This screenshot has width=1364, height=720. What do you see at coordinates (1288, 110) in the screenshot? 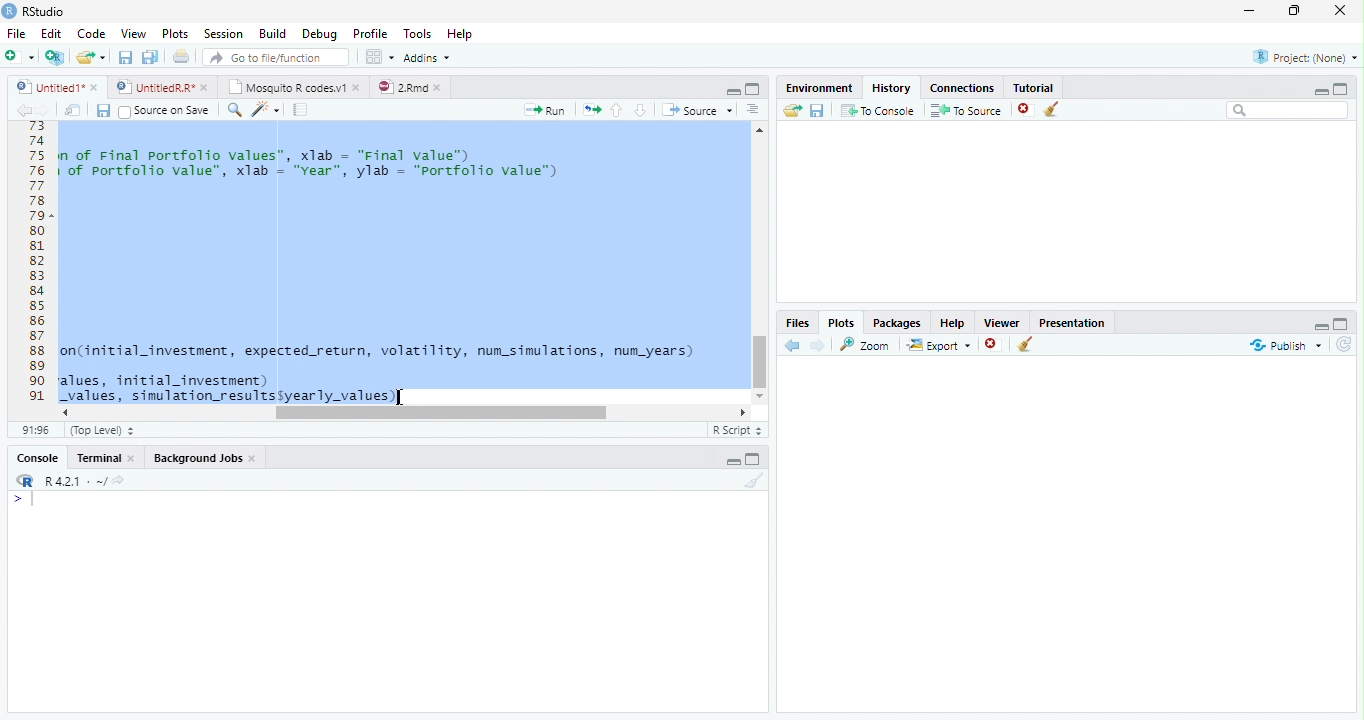
I see `Search` at bounding box center [1288, 110].